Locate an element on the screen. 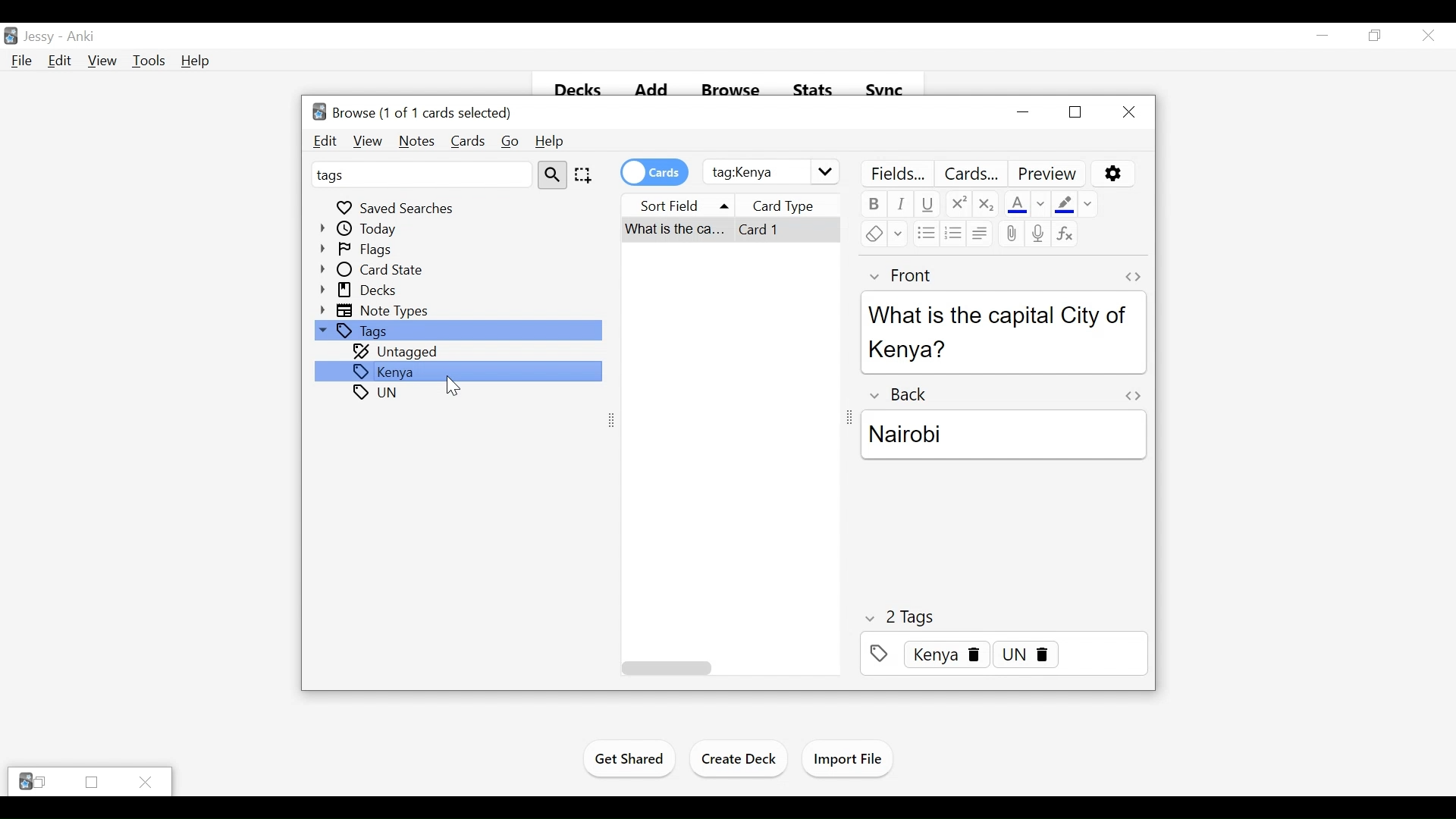 This screenshot has width=1456, height=819. Remove Formatting is located at coordinates (873, 234).